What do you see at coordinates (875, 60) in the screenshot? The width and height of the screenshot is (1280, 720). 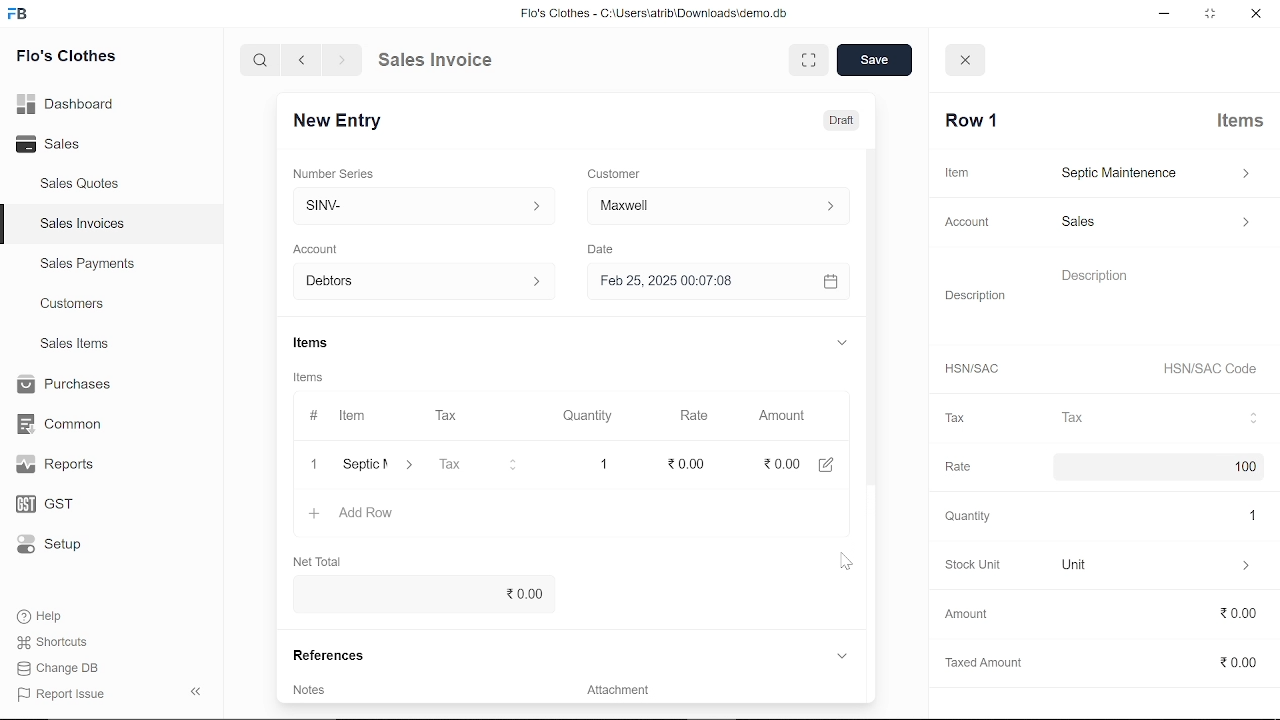 I see `save` at bounding box center [875, 60].